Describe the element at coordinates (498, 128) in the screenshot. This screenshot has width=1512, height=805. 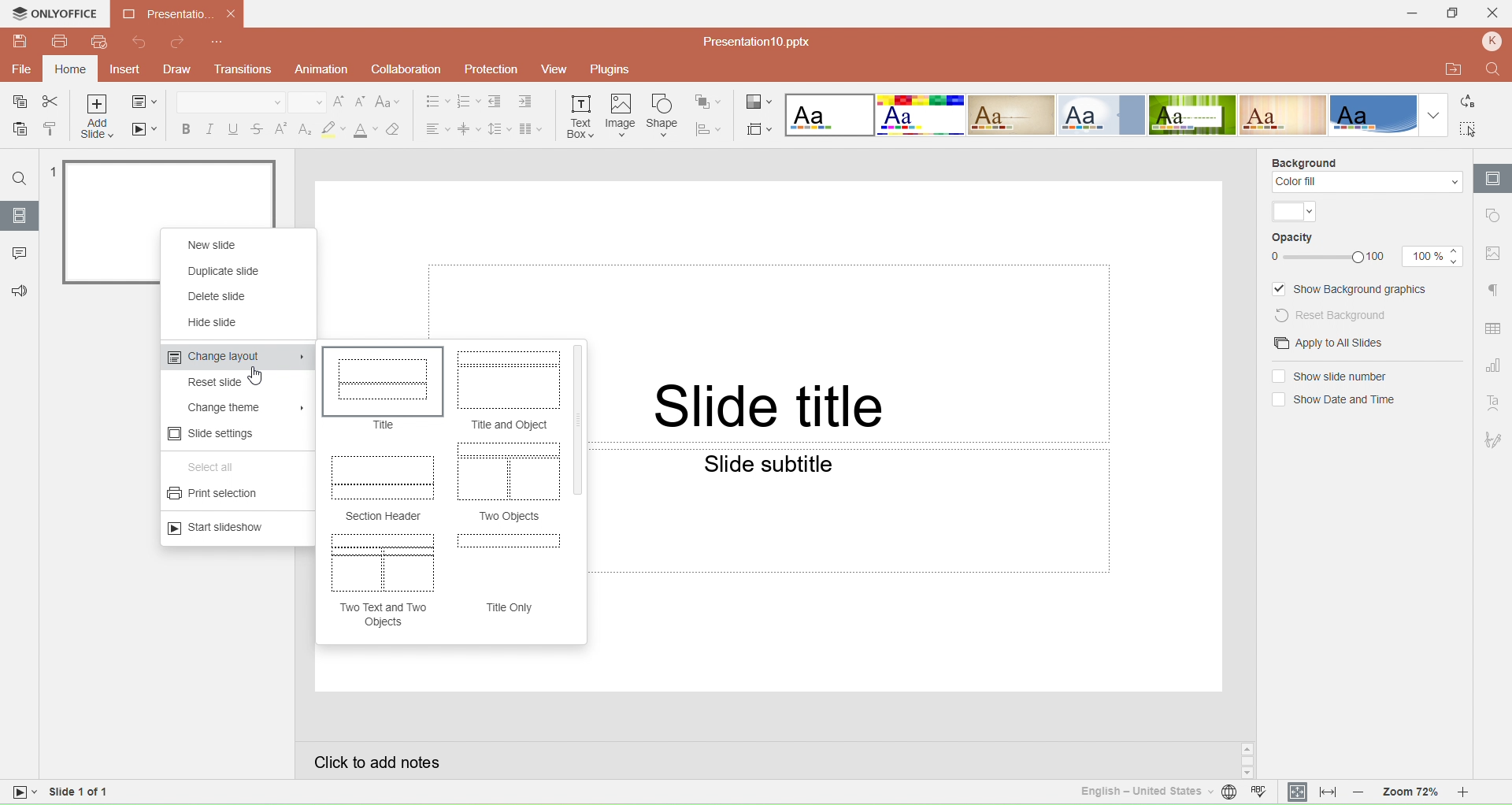
I see `Line spacing` at that location.